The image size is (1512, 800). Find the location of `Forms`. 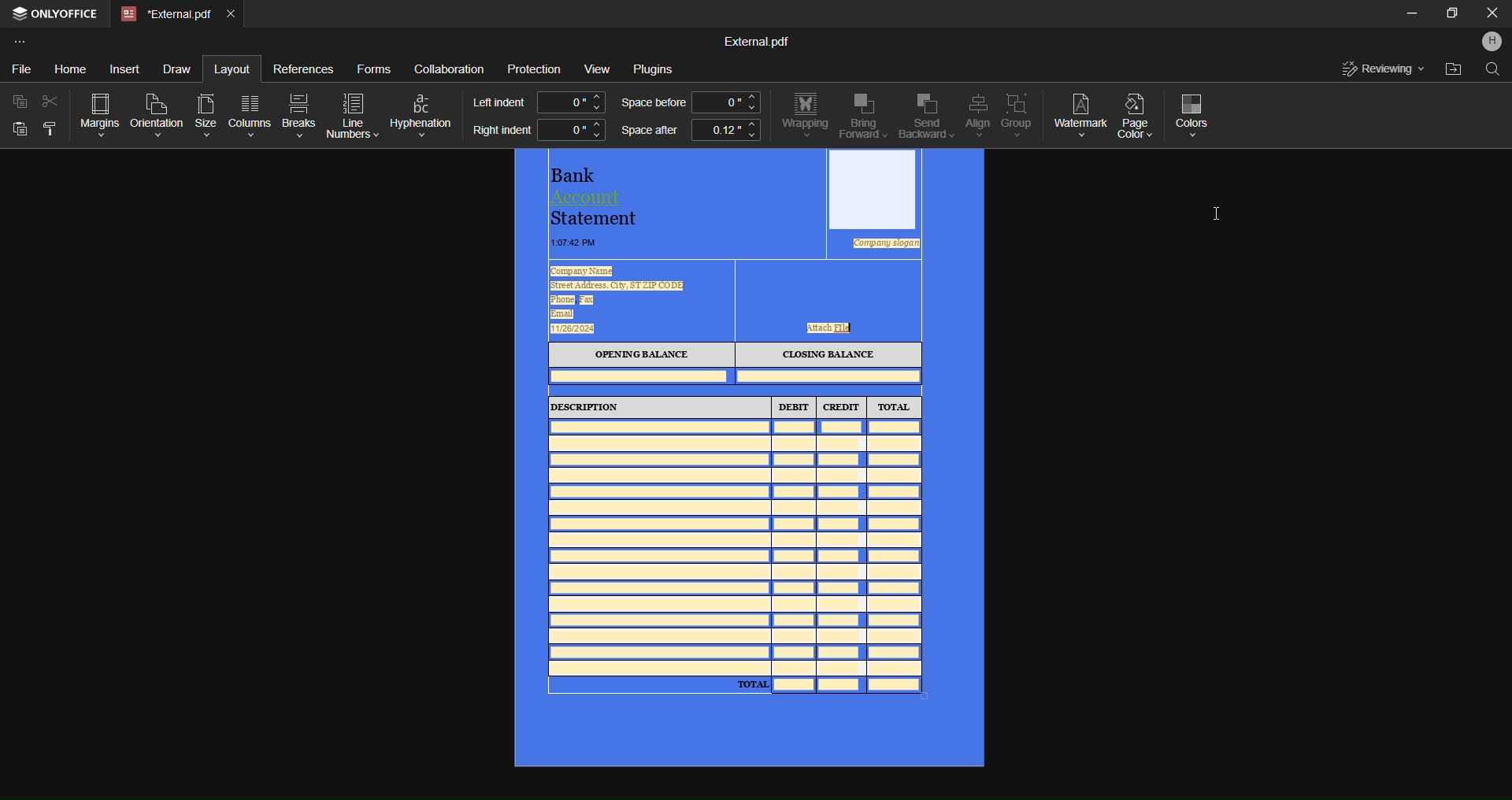

Forms is located at coordinates (373, 67).